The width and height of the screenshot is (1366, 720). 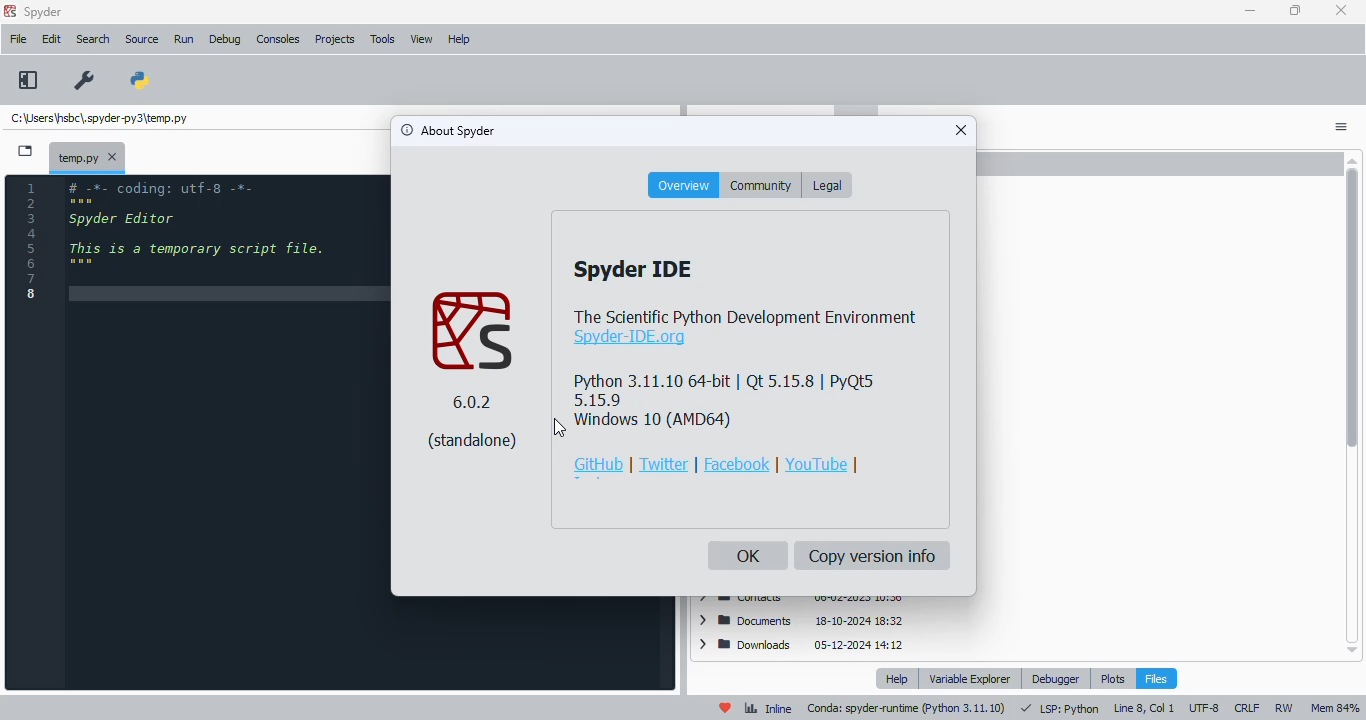 I want to click on close, so click(x=1342, y=11).